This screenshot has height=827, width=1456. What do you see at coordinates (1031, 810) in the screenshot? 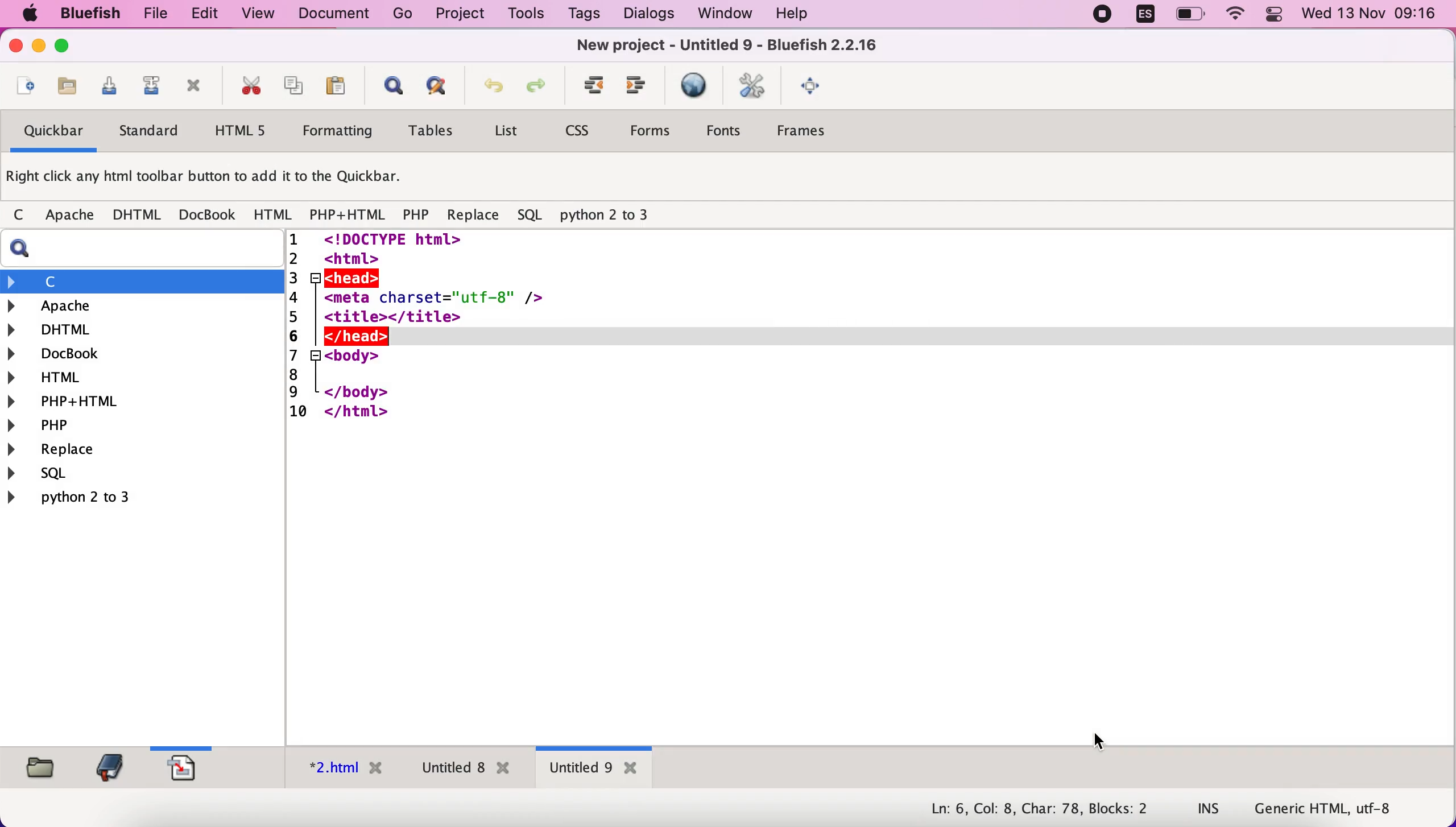
I see `lines, column, blocks` at bounding box center [1031, 810].